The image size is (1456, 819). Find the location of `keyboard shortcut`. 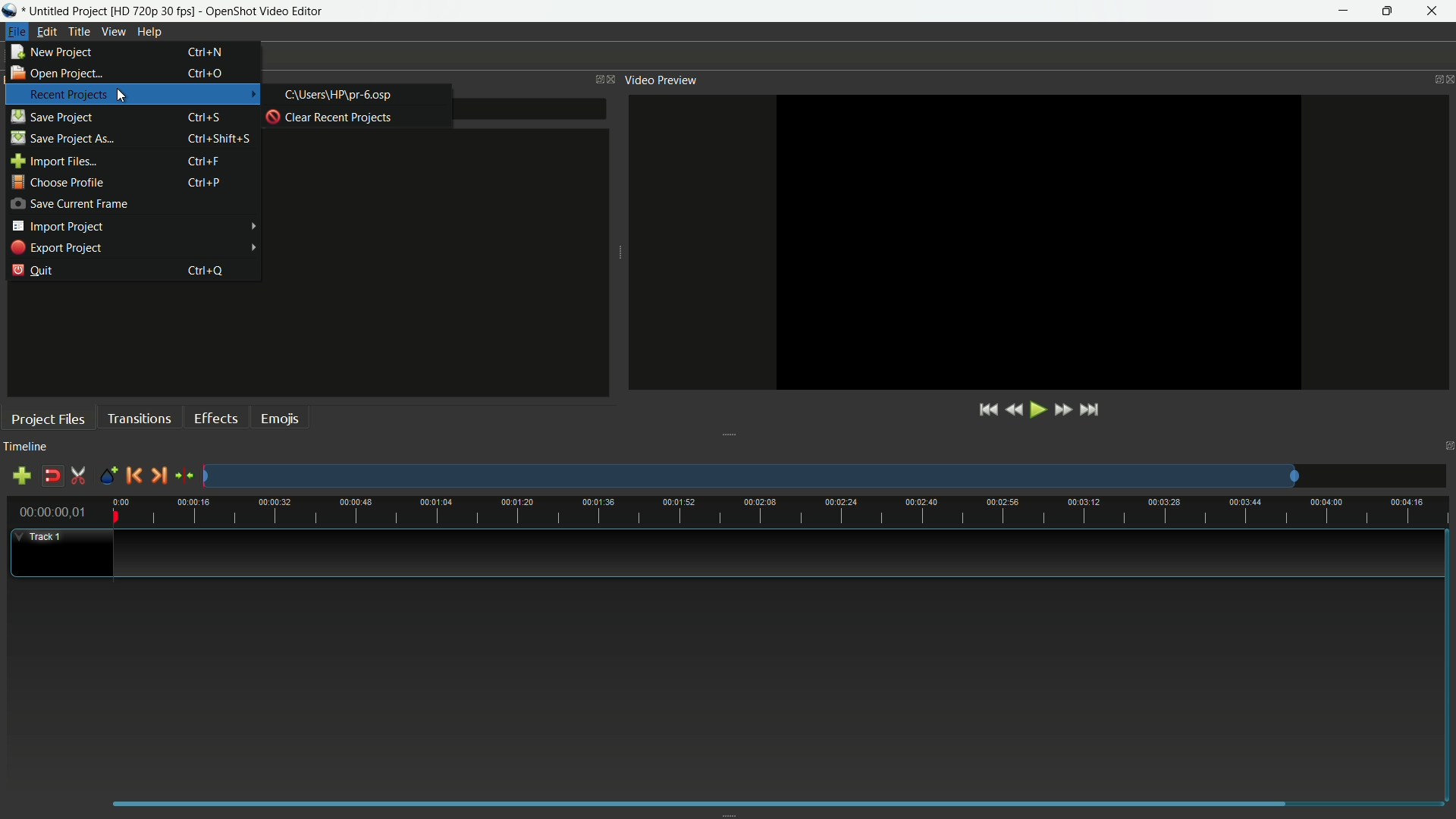

keyboard shortcut is located at coordinates (219, 139).